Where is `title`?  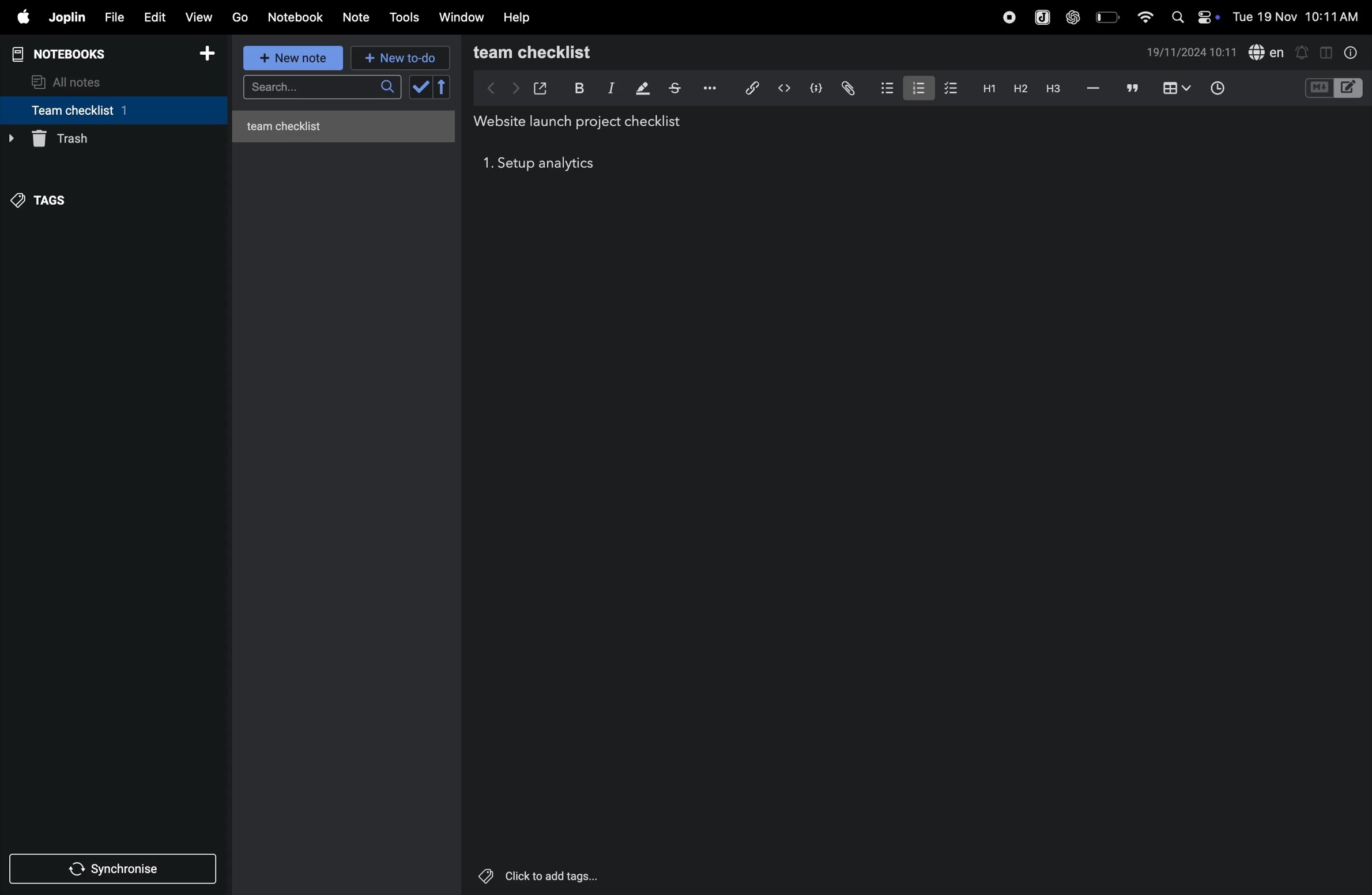 title is located at coordinates (583, 122).